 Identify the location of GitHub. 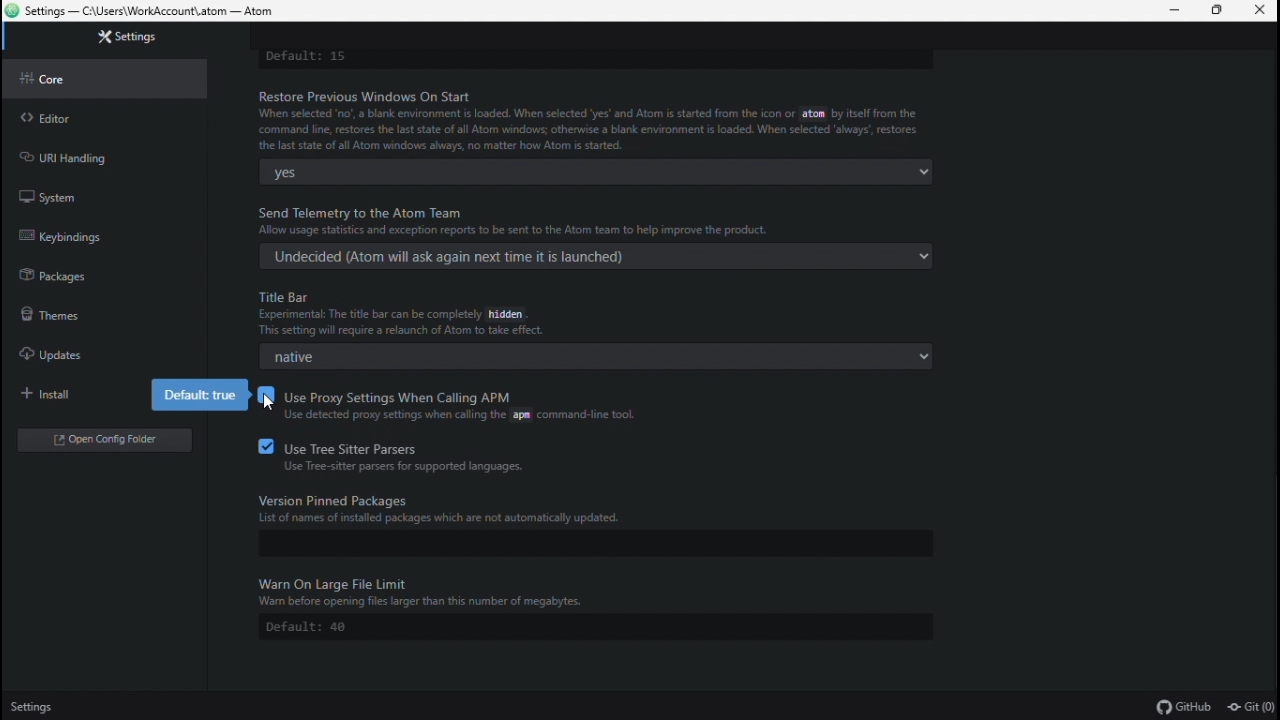
(1185, 706).